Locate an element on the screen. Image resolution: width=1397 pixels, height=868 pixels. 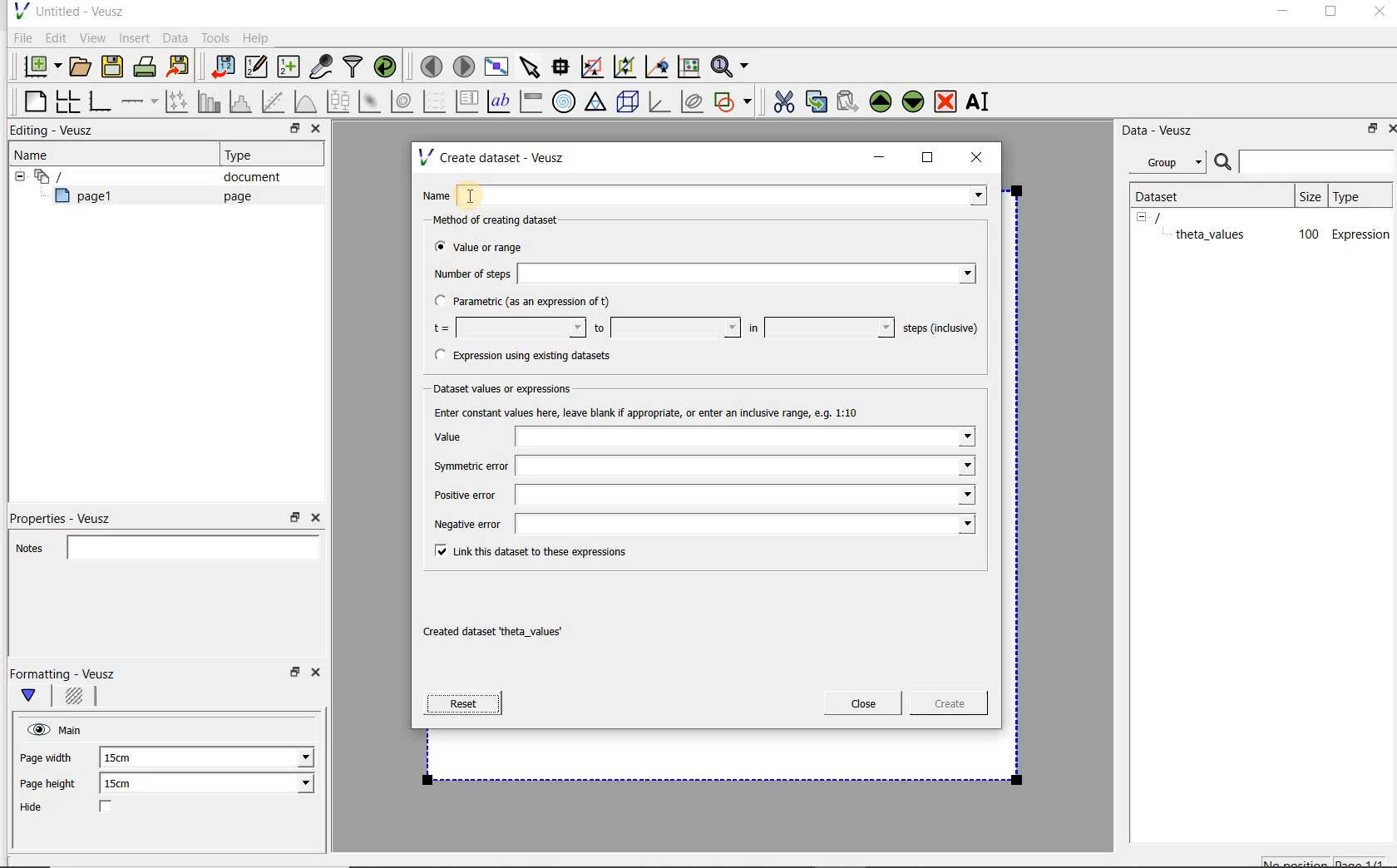
Page height dropdown is located at coordinates (294, 785).